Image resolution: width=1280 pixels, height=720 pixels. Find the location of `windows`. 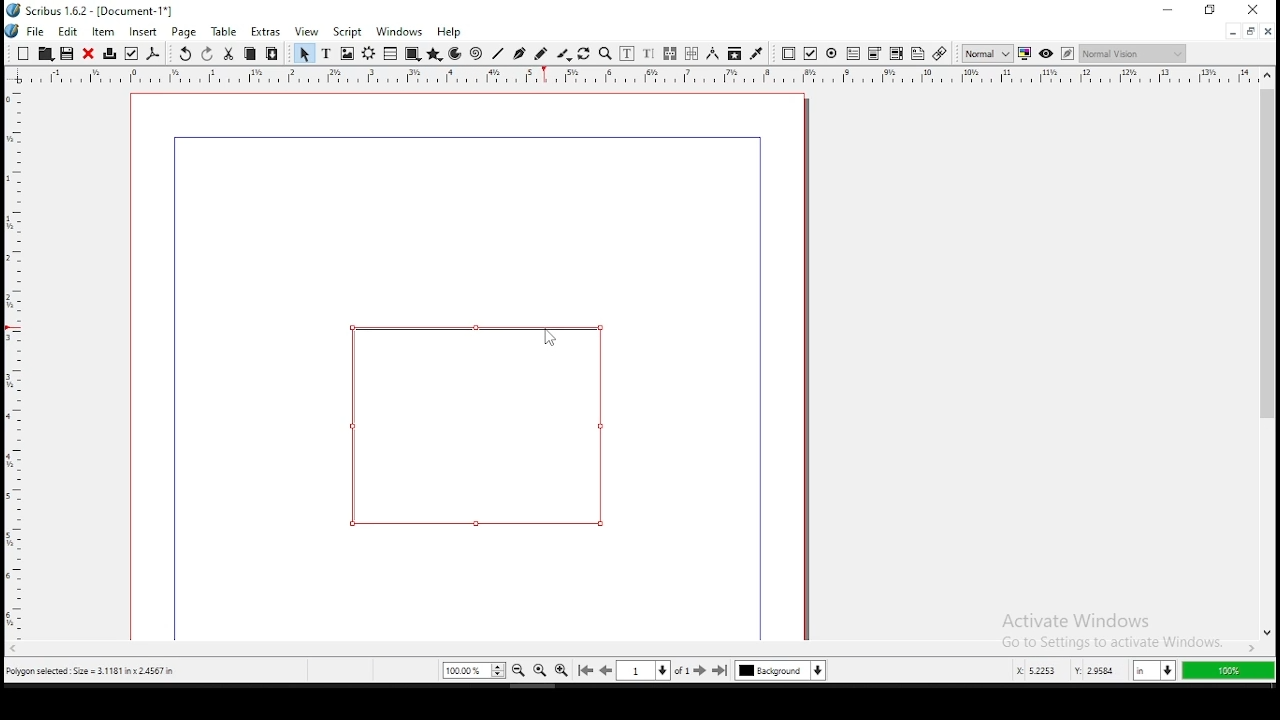

windows is located at coordinates (399, 32).